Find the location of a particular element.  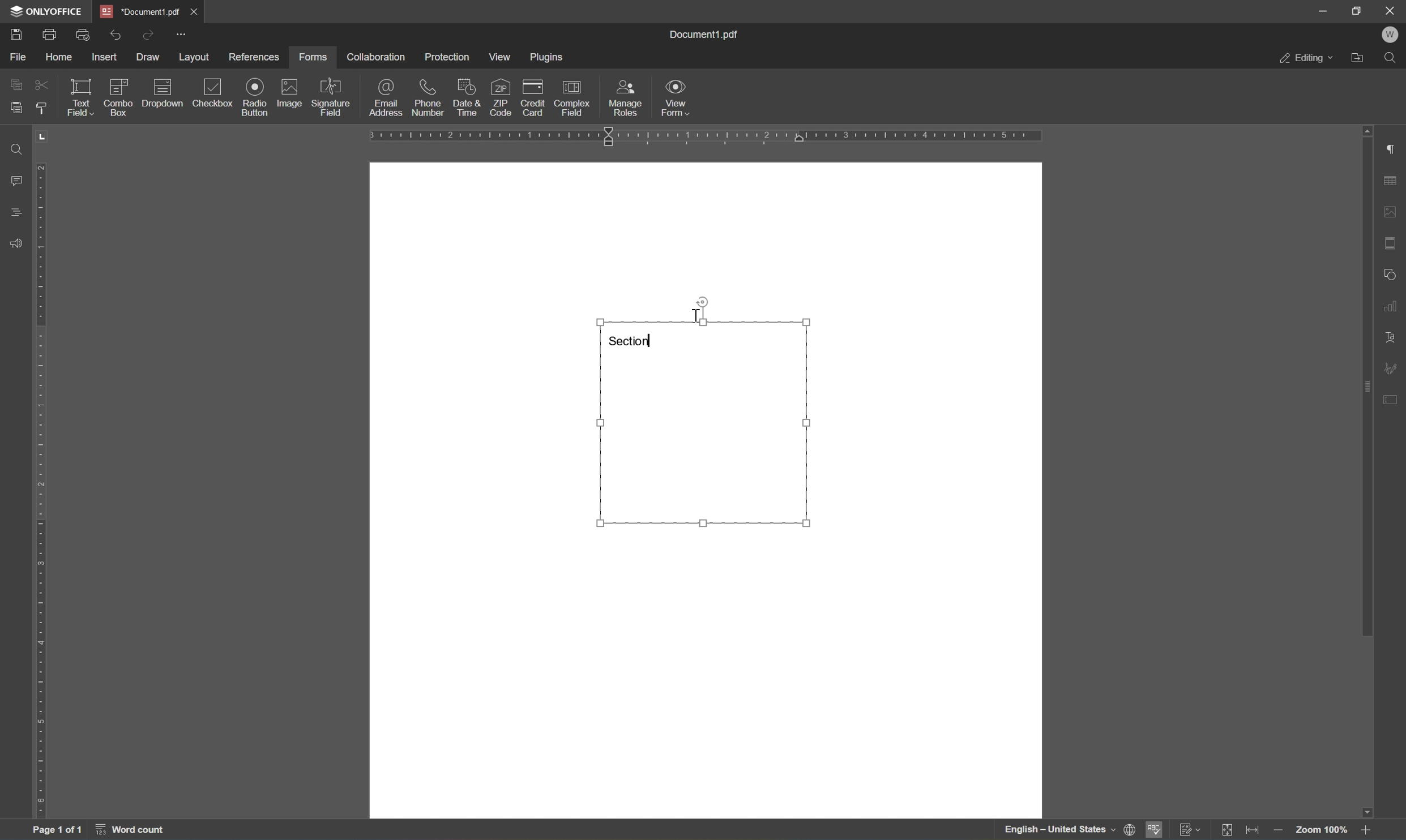

zoom 100% is located at coordinates (1322, 832).